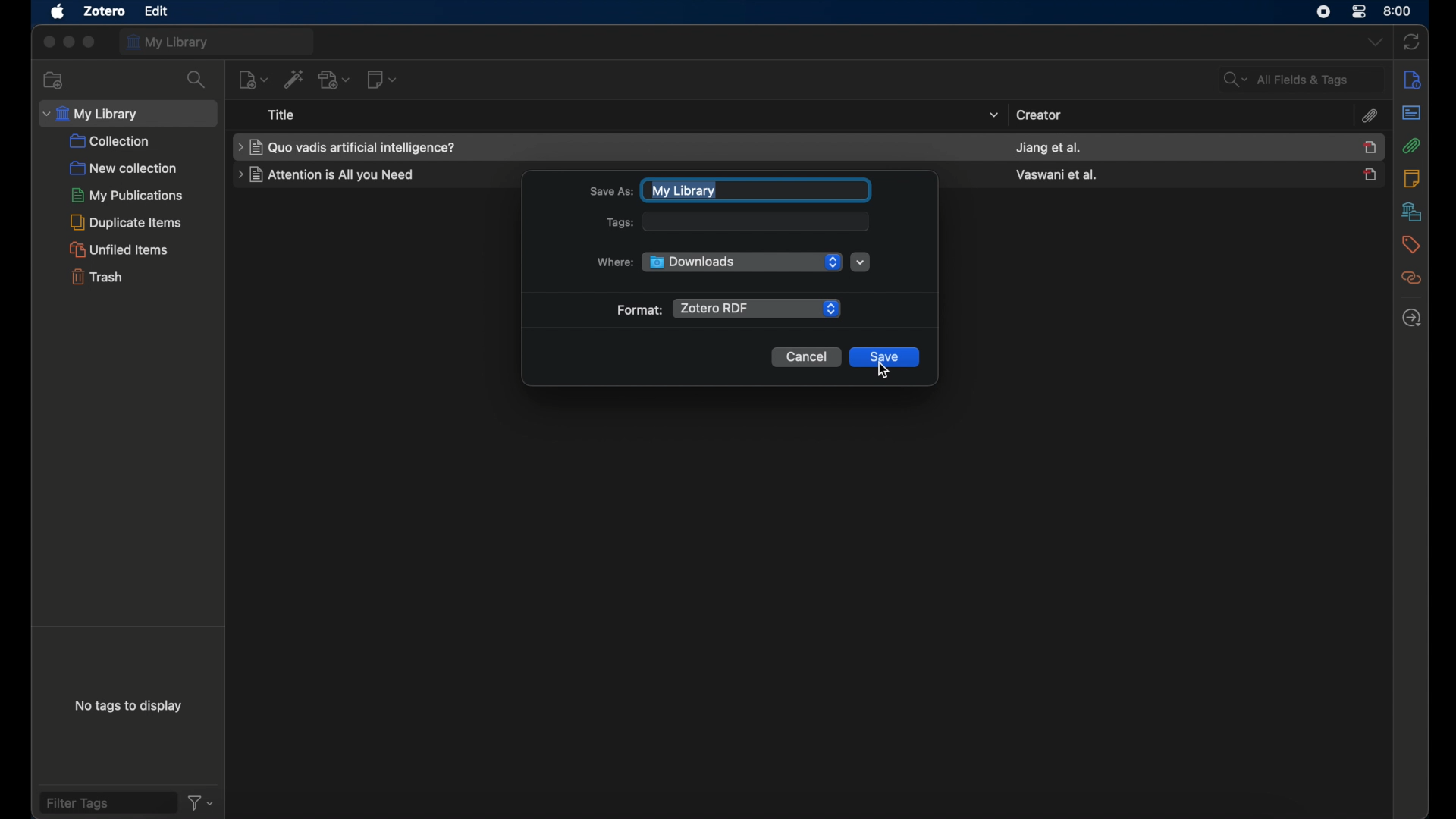 The image size is (1456, 819). What do you see at coordinates (805, 356) in the screenshot?
I see `cancel` at bounding box center [805, 356].